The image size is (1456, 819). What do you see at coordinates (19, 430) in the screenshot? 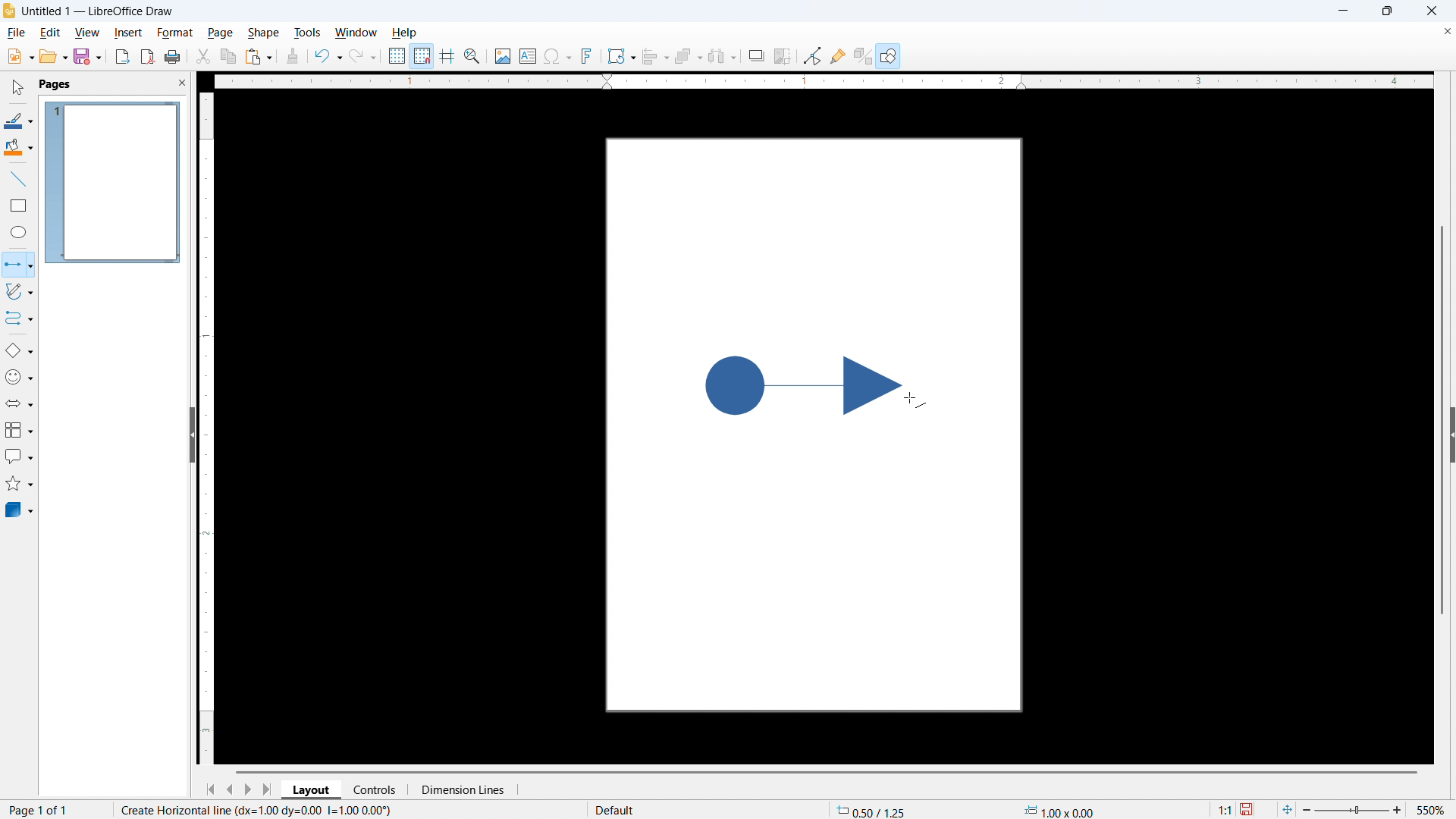
I see `Flow chart ` at bounding box center [19, 430].